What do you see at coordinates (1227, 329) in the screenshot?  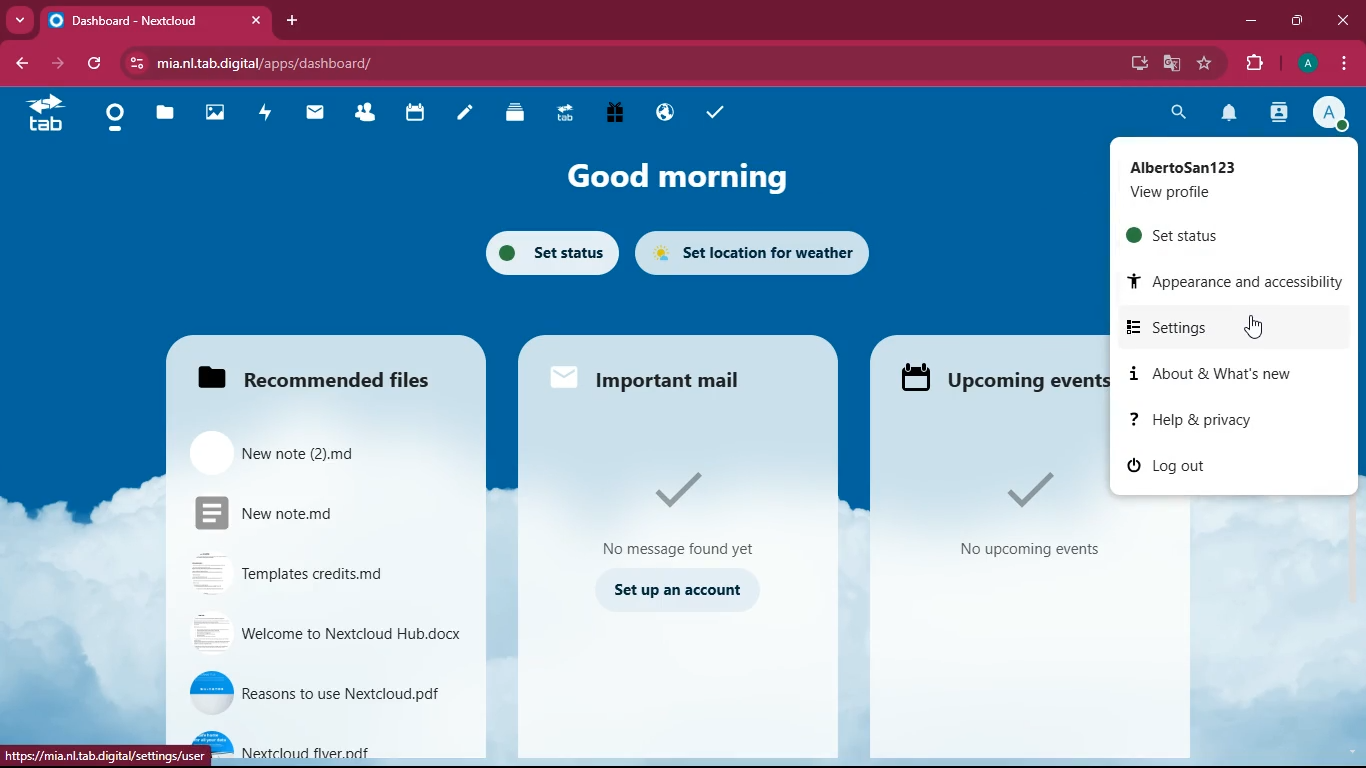 I see `settings` at bounding box center [1227, 329].